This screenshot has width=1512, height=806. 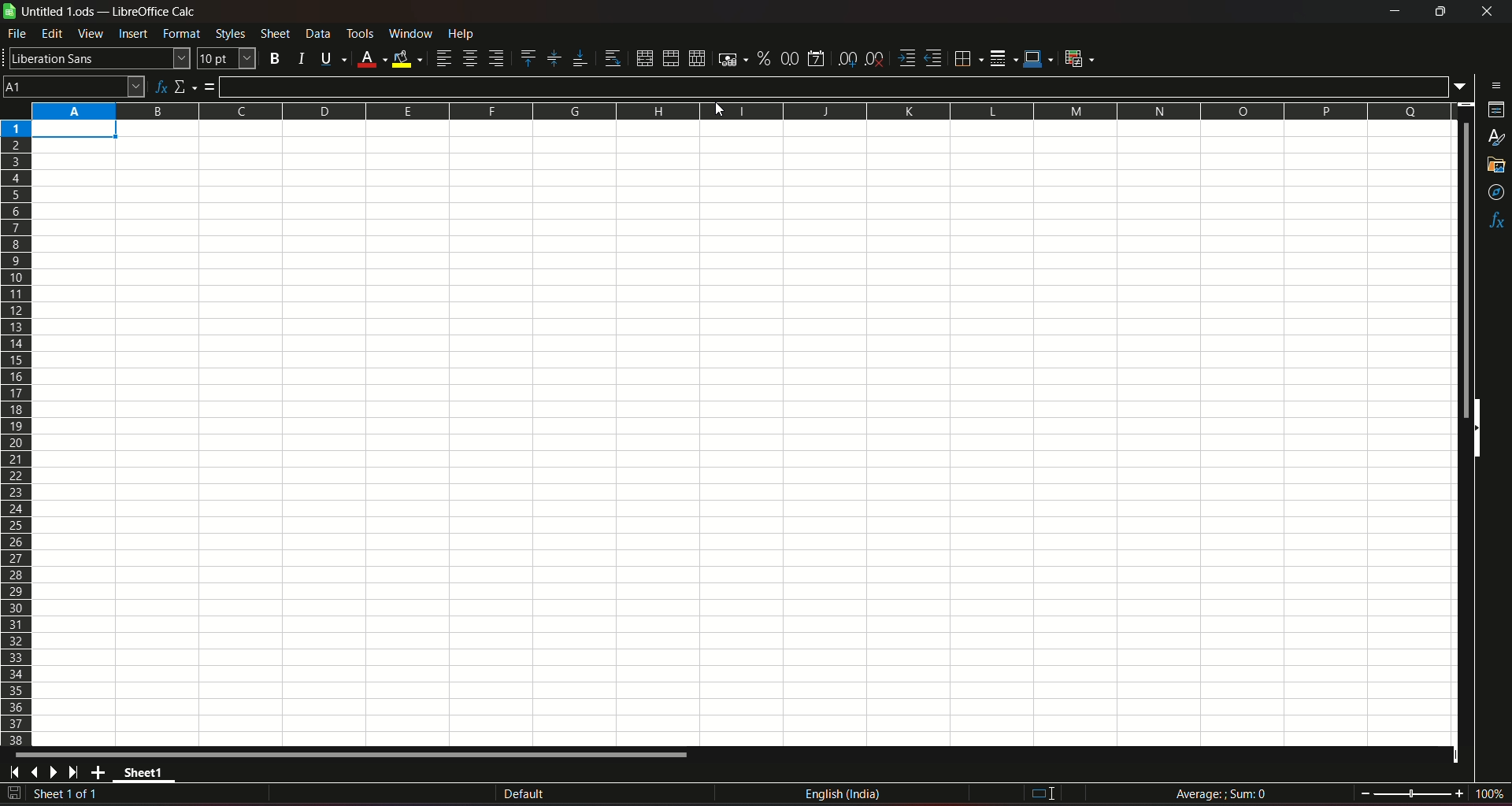 I want to click on align bottom, so click(x=576, y=57).